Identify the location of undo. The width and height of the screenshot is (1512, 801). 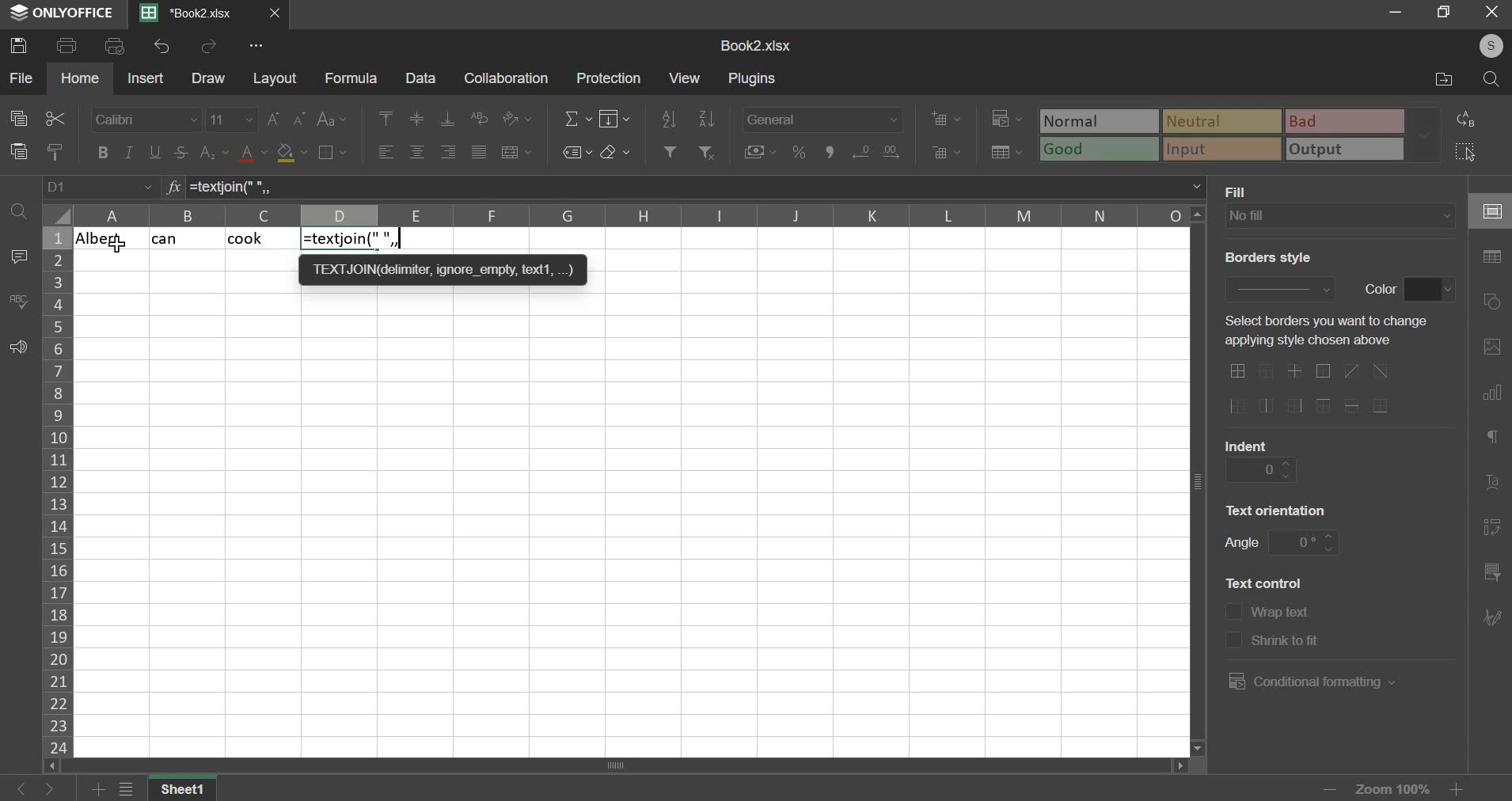
(161, 46).